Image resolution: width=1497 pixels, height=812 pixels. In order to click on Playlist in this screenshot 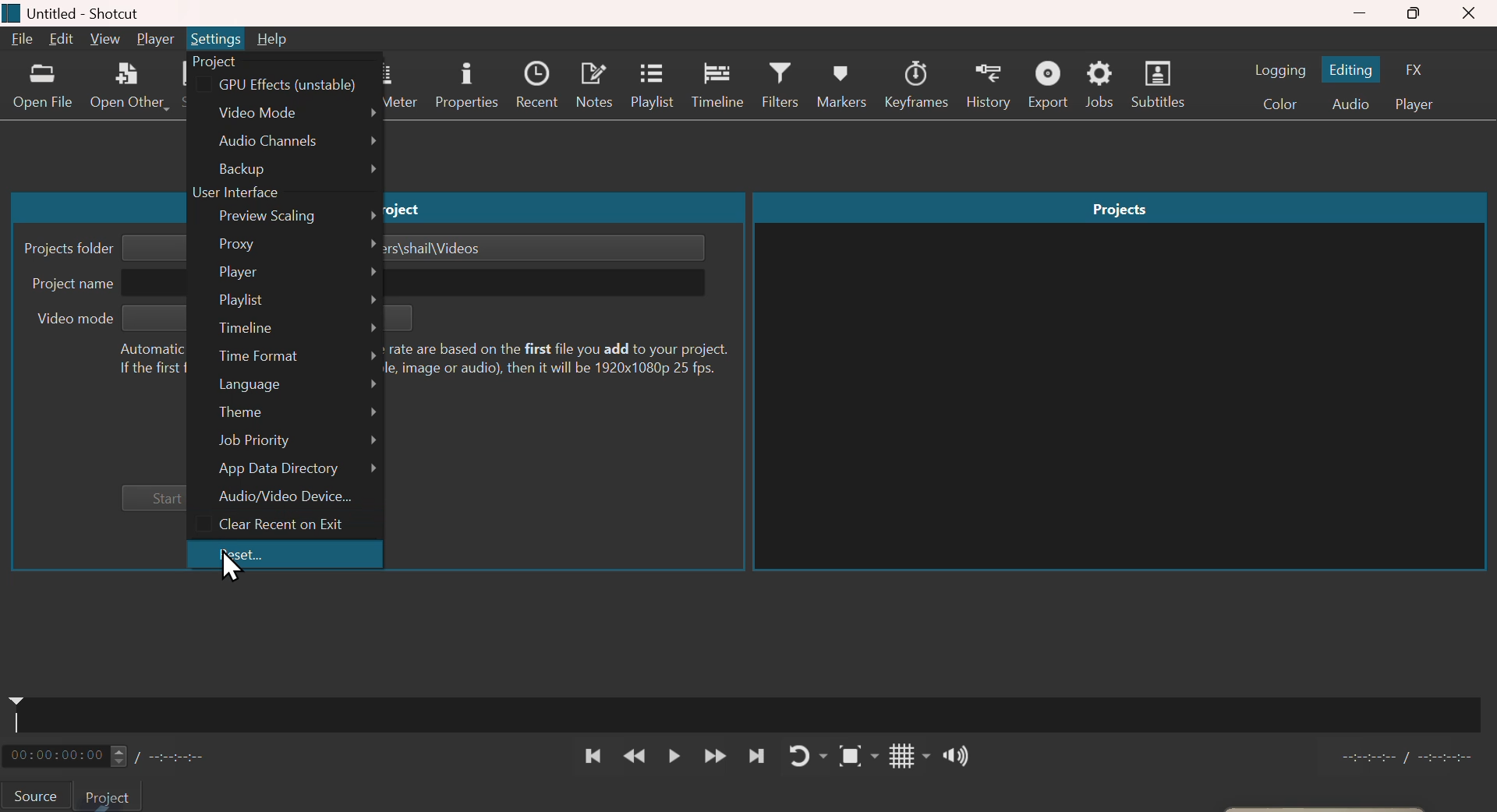, I will do `click(285, 300)`.